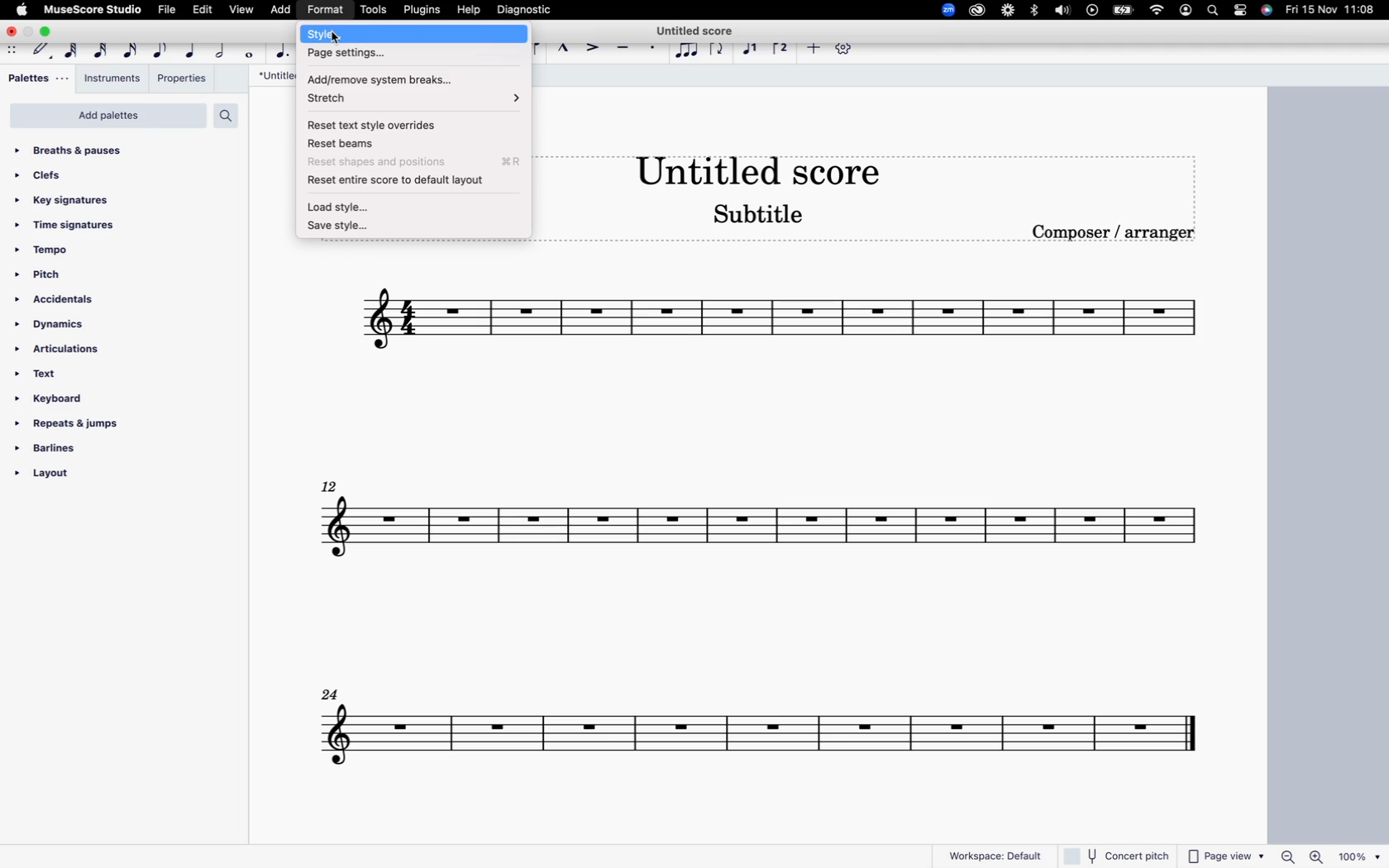  What do you see at coordinates (200, 9) in the screenshot?
I see `edit` at bounding box center [200, 9].